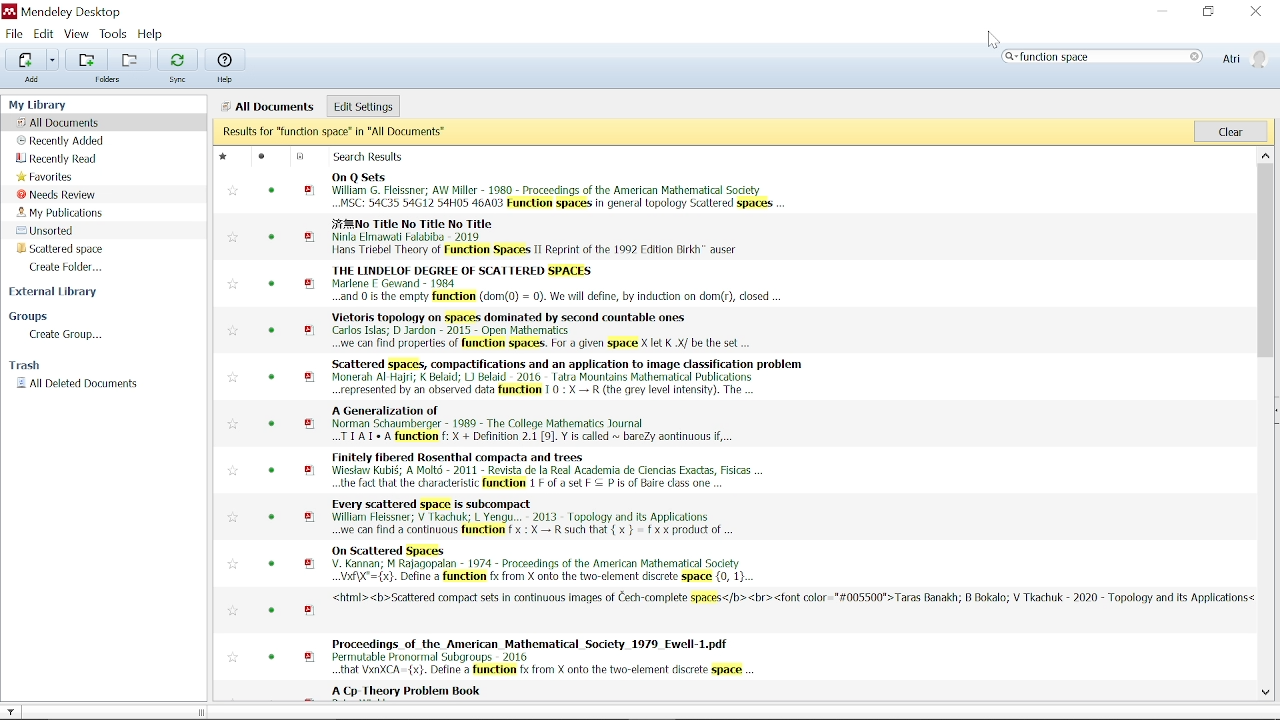  I want to click on Edit, so click(43, 34).